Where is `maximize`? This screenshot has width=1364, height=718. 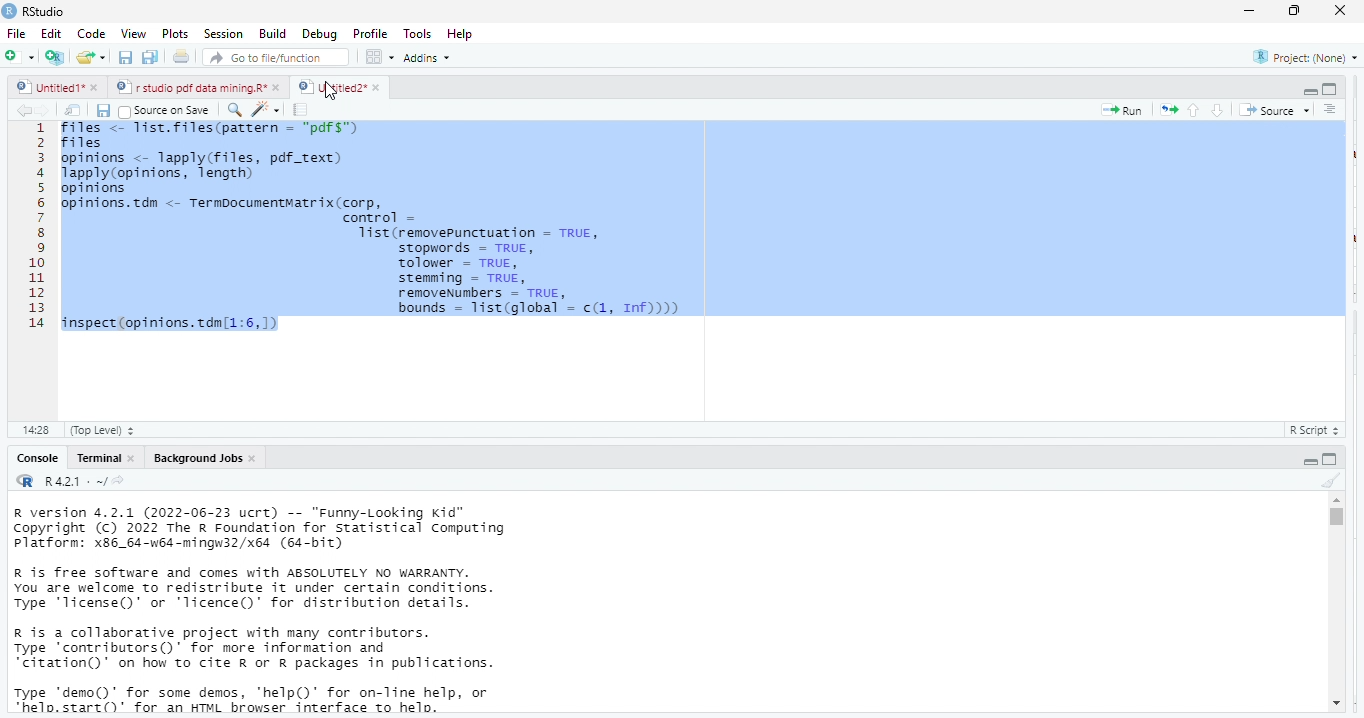 maximize is located at coordinates (1297, 12).